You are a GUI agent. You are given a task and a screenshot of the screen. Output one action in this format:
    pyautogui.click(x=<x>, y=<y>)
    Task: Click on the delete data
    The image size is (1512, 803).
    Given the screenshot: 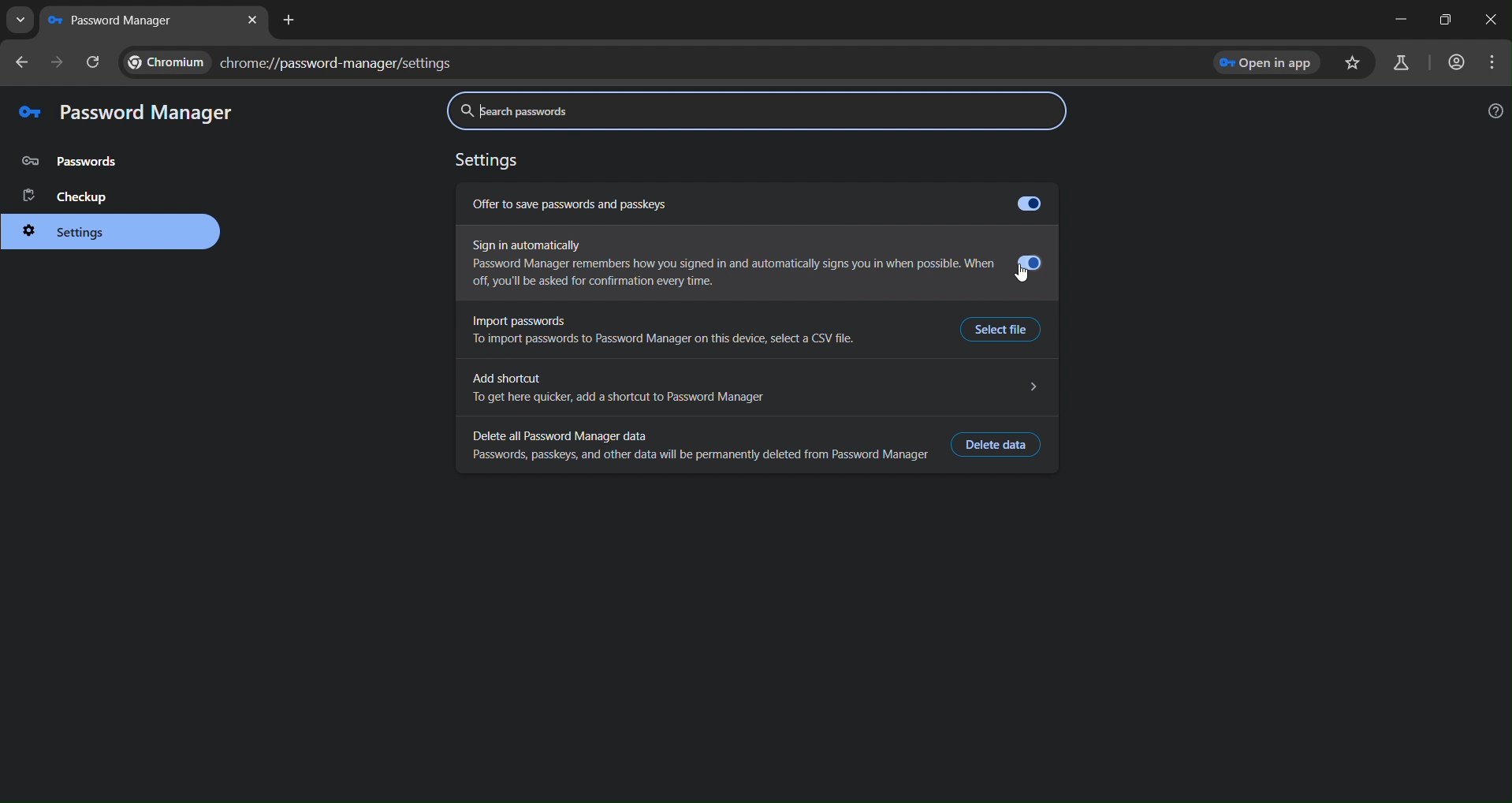 What is the action you would take?
    pyautogui.click(x=1000, y=445)
    